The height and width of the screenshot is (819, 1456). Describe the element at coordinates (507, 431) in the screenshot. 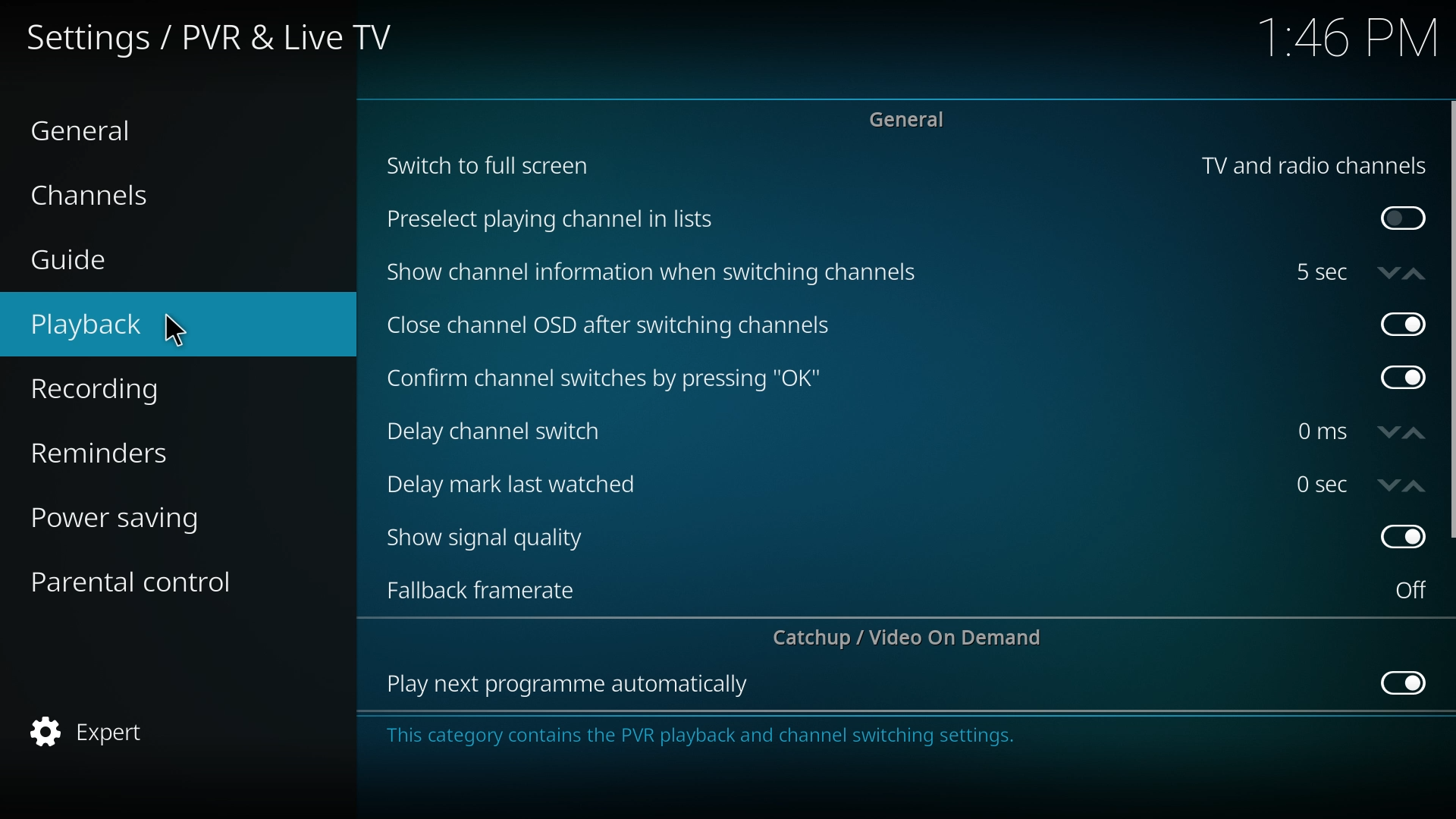

I see `delay channel switch` at that location.